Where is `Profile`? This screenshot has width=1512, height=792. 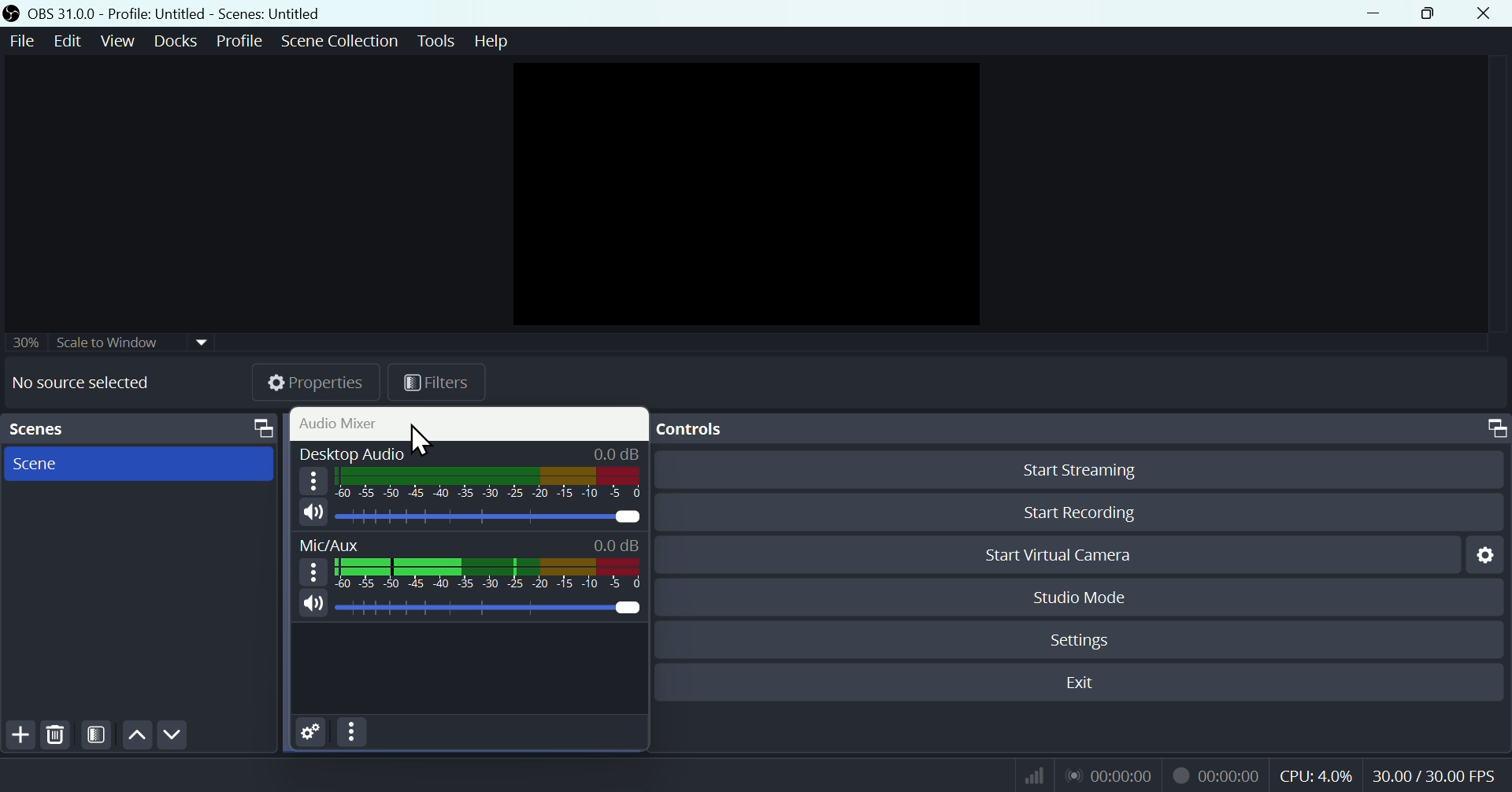
Profile is located at coordinates (235, 38).